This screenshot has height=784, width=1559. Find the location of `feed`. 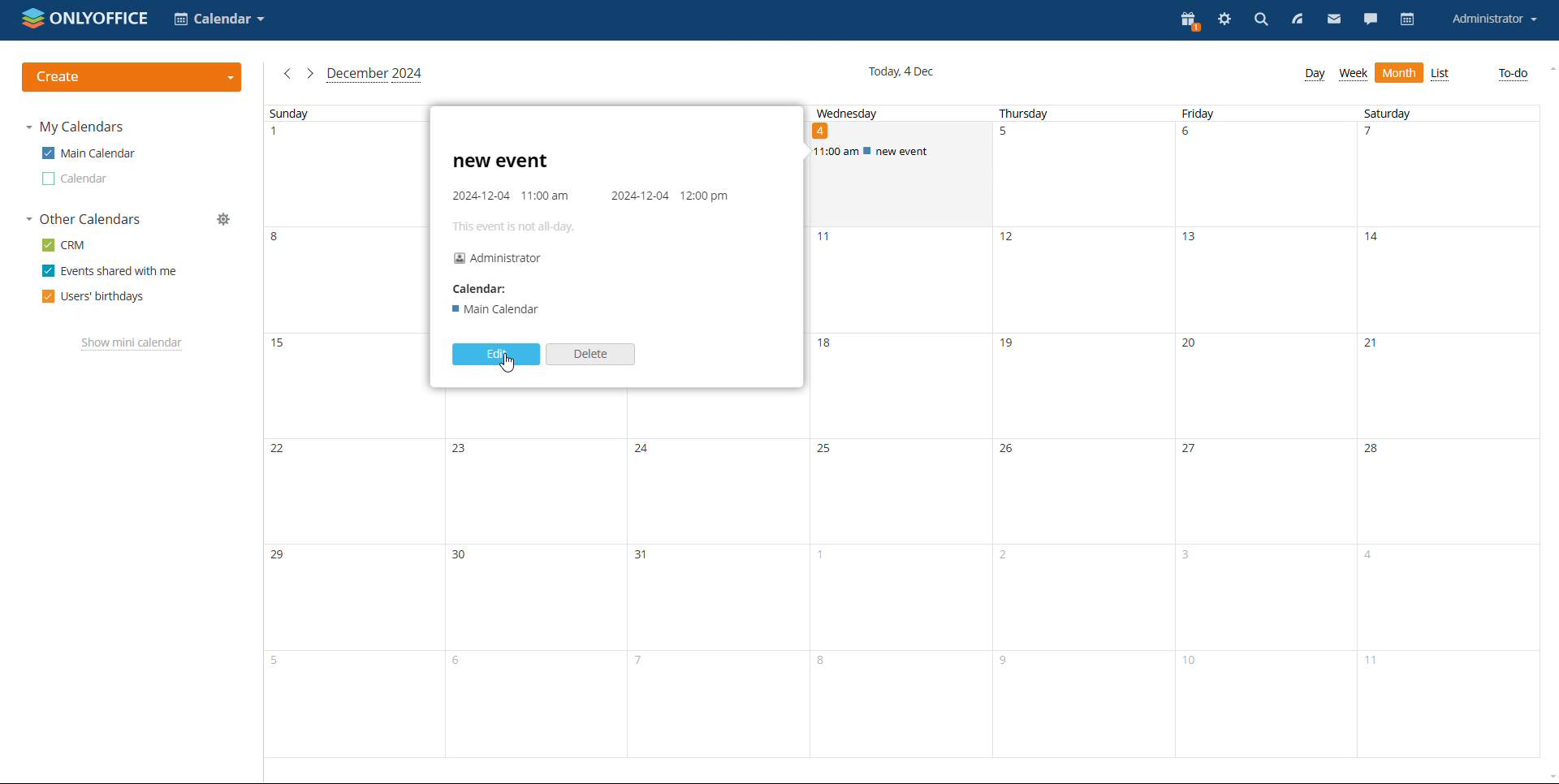

feed is located at coordinates (1298, 20).